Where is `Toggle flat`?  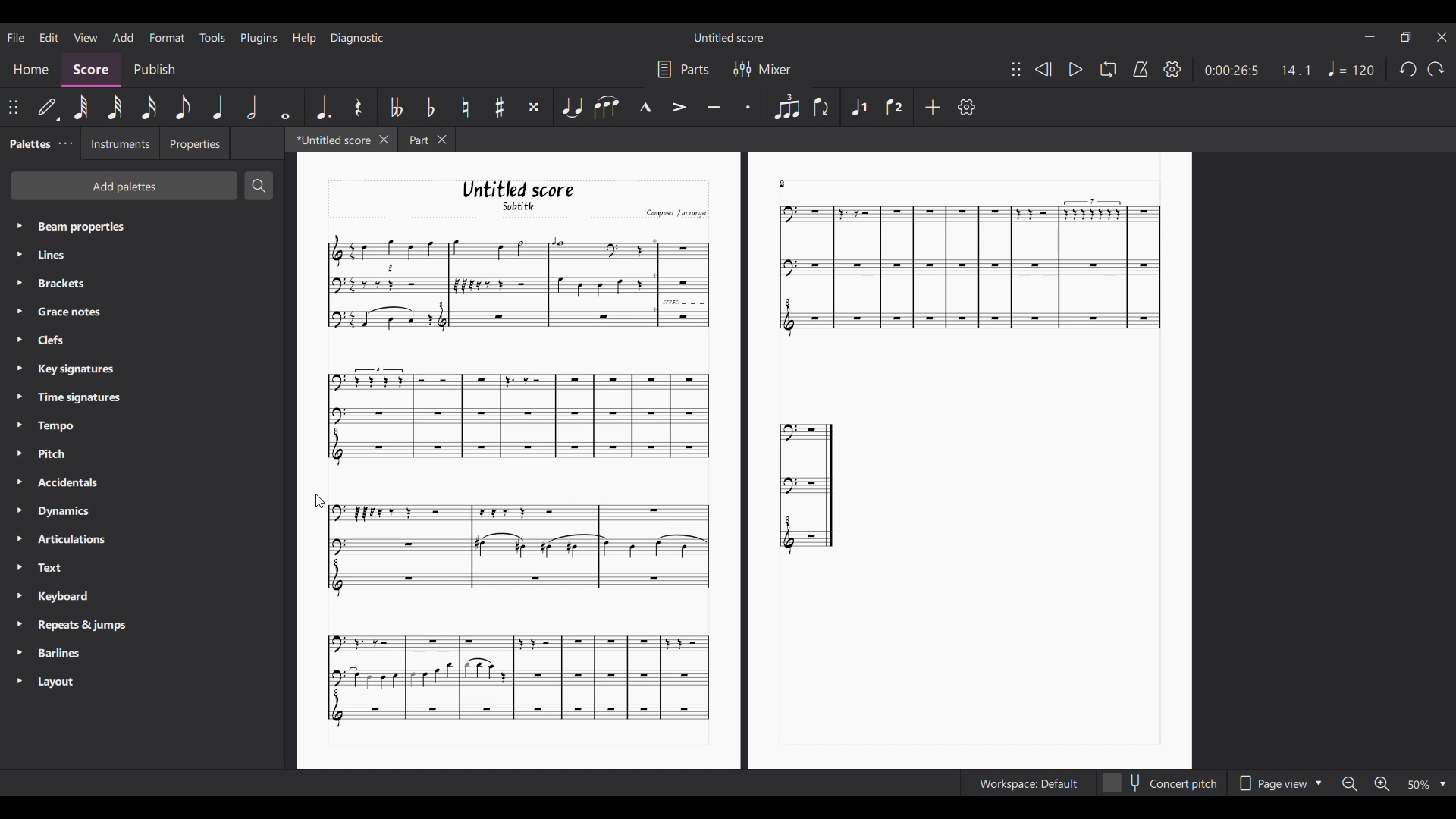 Toggle flat is located at coordinates (430, 106).